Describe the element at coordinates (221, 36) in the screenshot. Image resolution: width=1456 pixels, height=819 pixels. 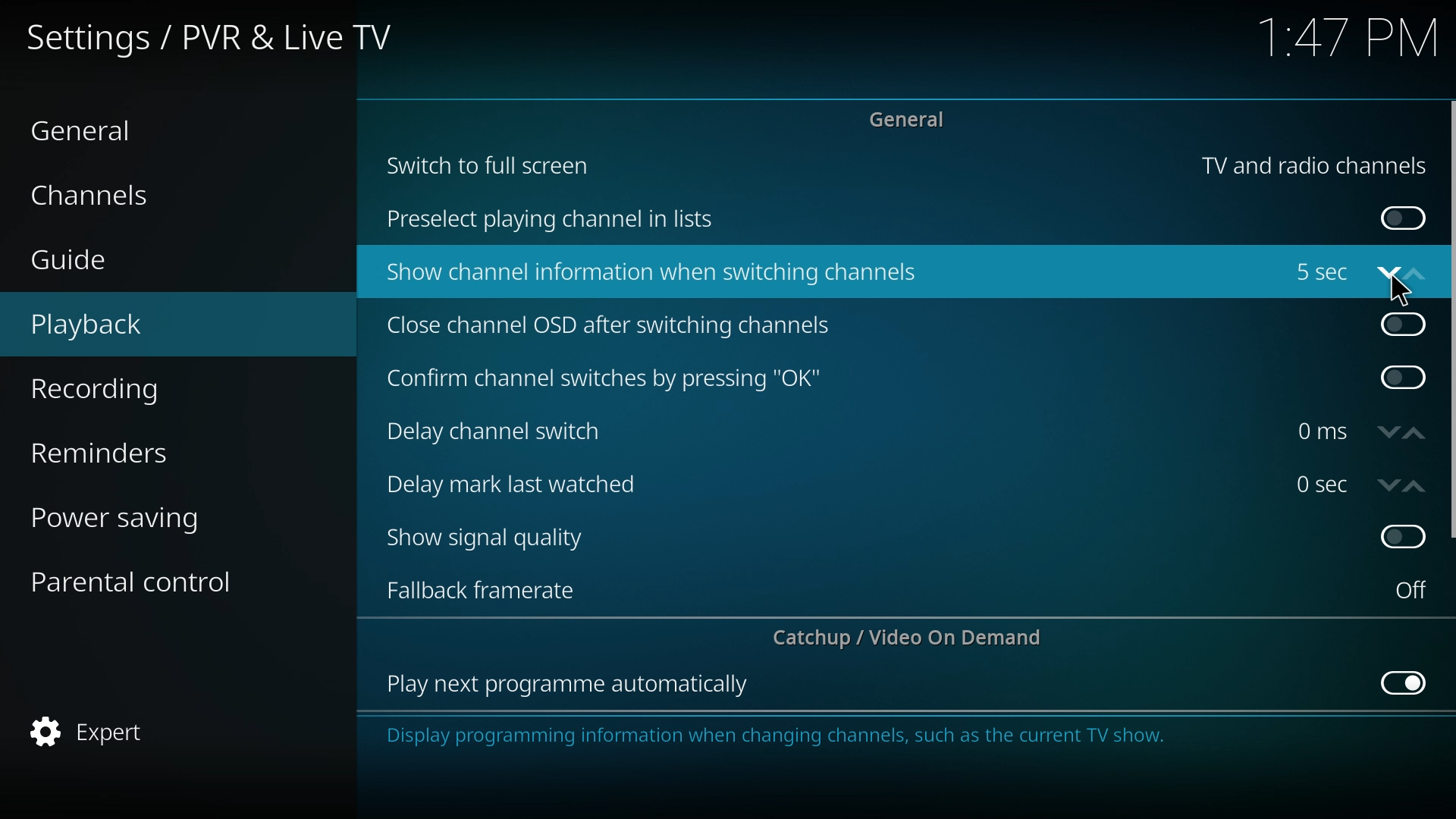
I see `settings/pvr and live tv` at that location.